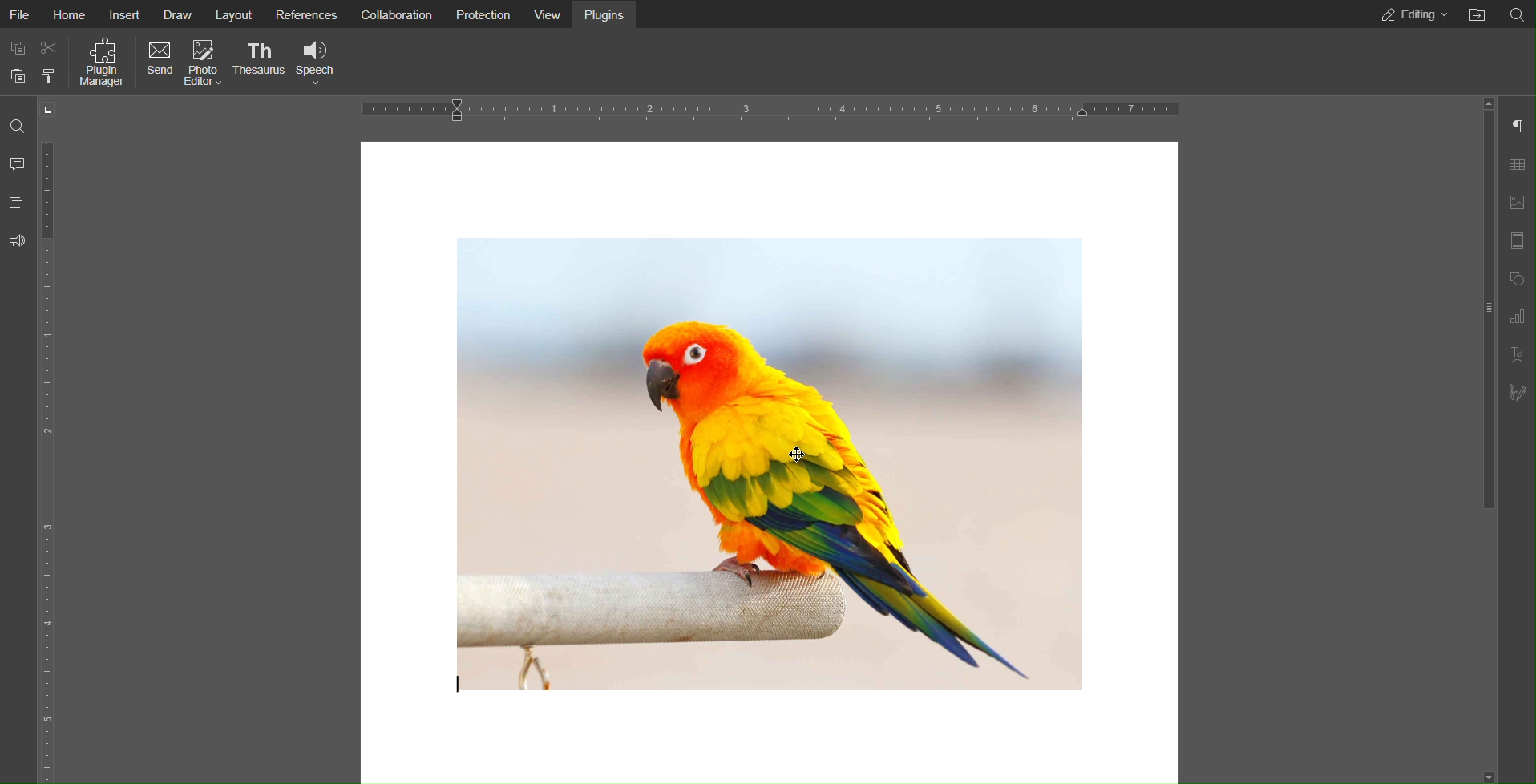  I want to click on Thesaurus, so click(261, 62).